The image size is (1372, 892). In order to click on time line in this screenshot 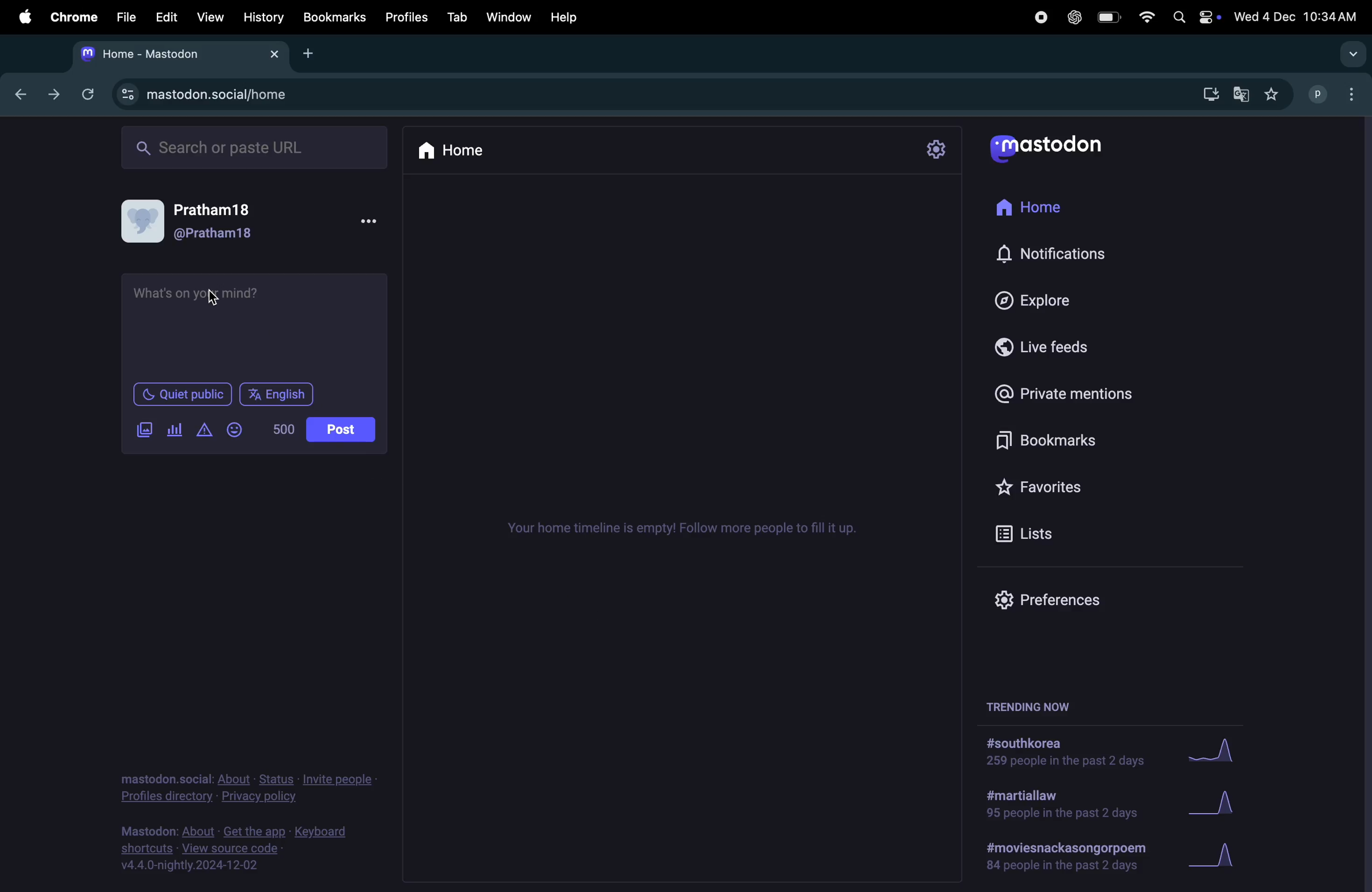, I will do `click(681, 529)`.